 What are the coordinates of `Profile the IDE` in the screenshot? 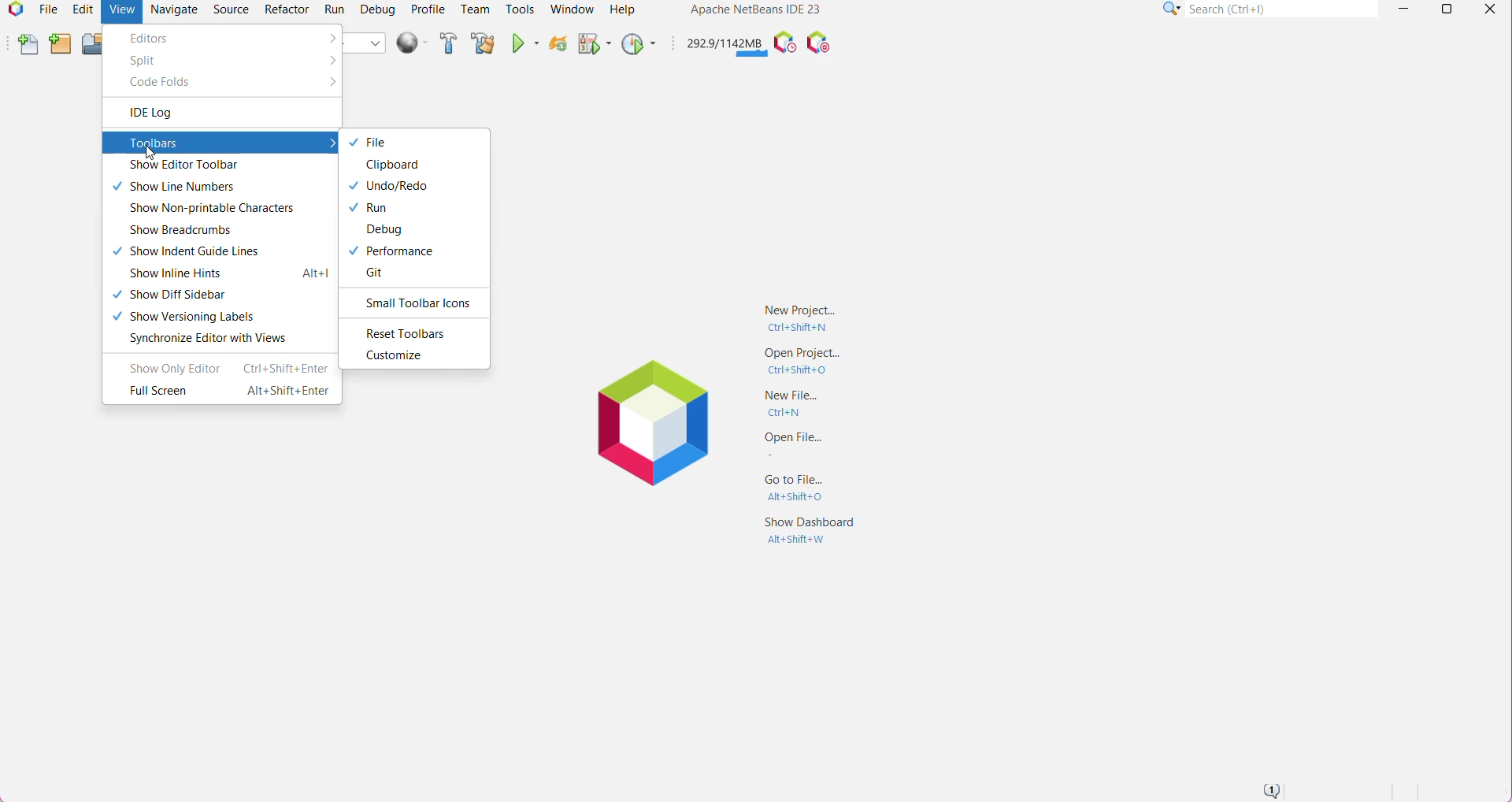 It's located at (784, 43).